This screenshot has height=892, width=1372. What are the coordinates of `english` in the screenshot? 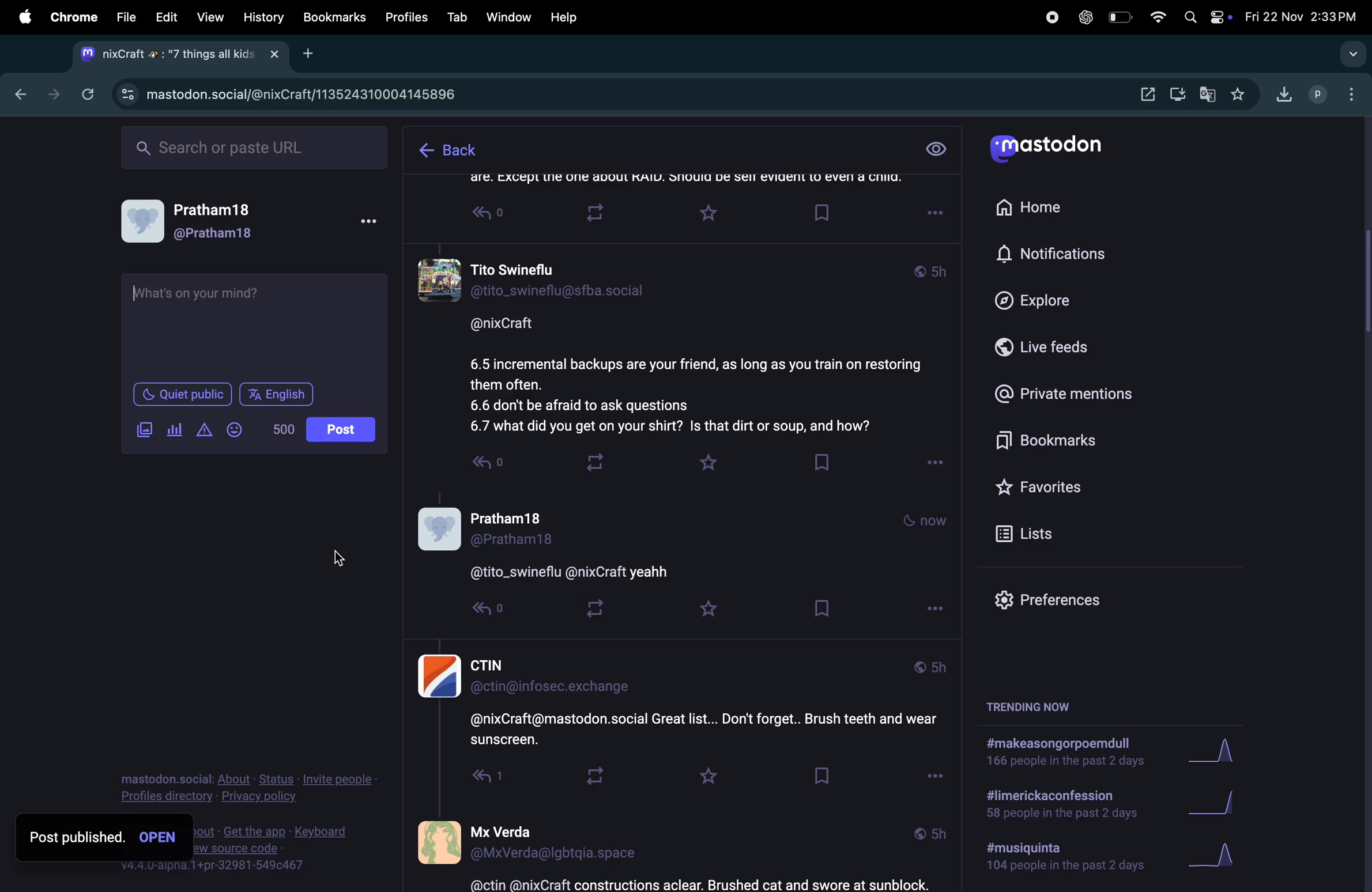 It's located at (277, 394).